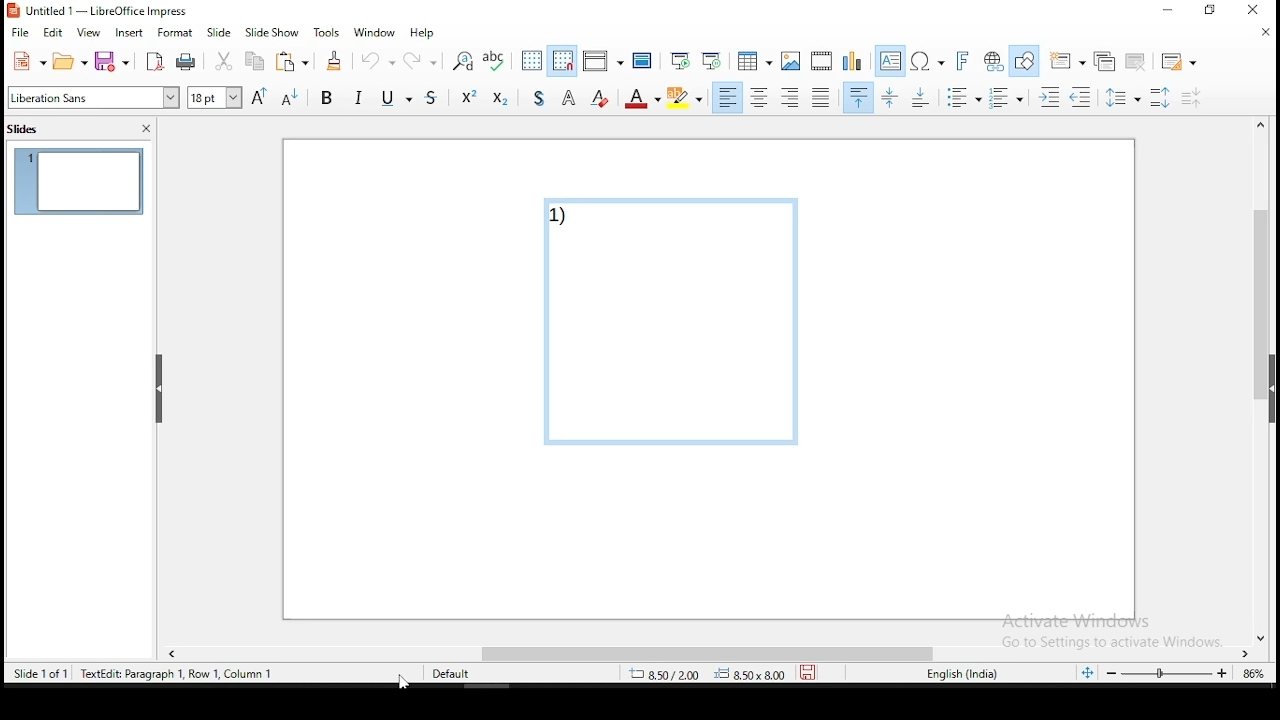 This screenshot has width=1280, height=720. Describe the element at coordinates (26, 130) in the screenshot. I see `slides` at that location.